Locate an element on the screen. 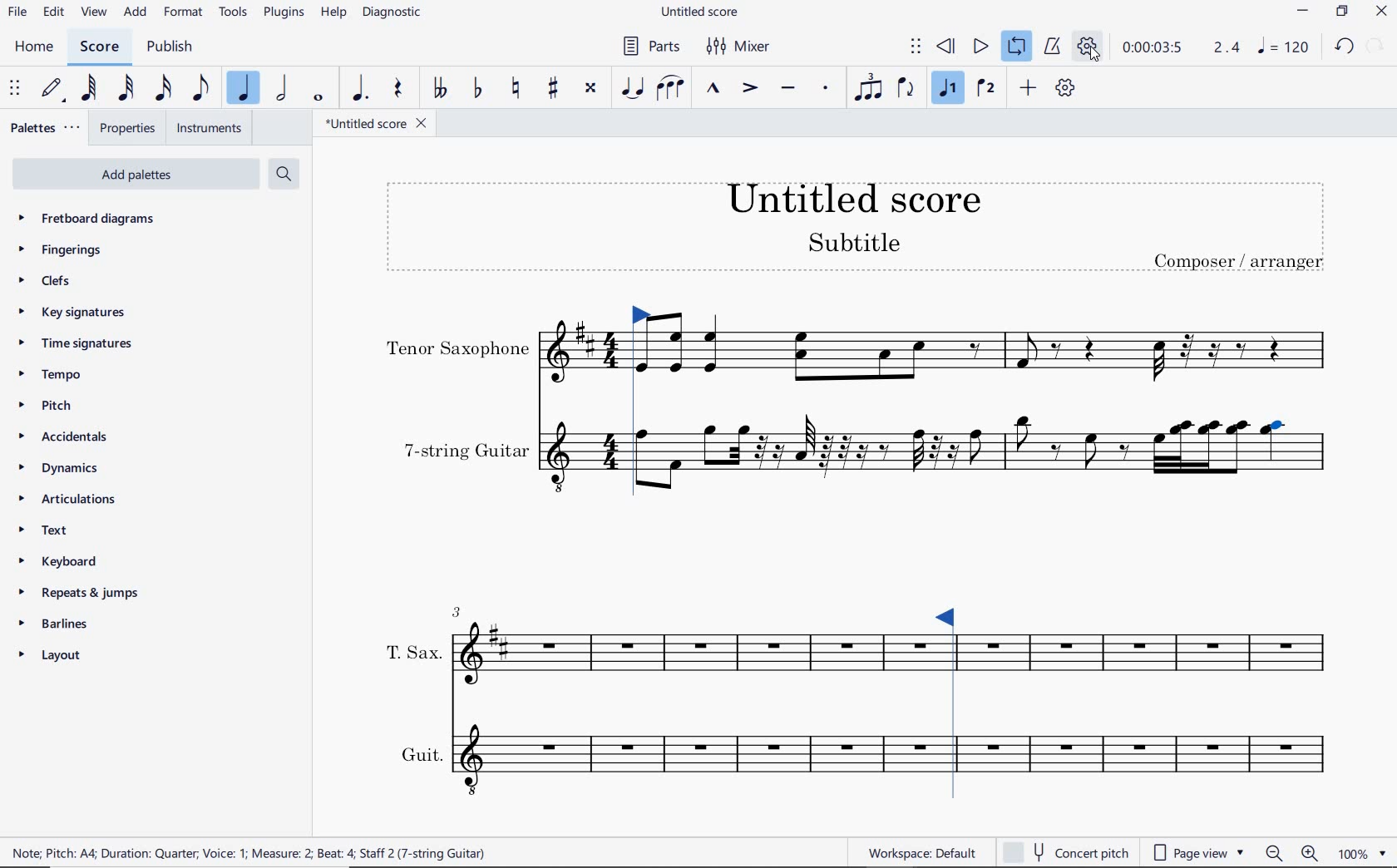  REST is located at coordinates (396, 89).